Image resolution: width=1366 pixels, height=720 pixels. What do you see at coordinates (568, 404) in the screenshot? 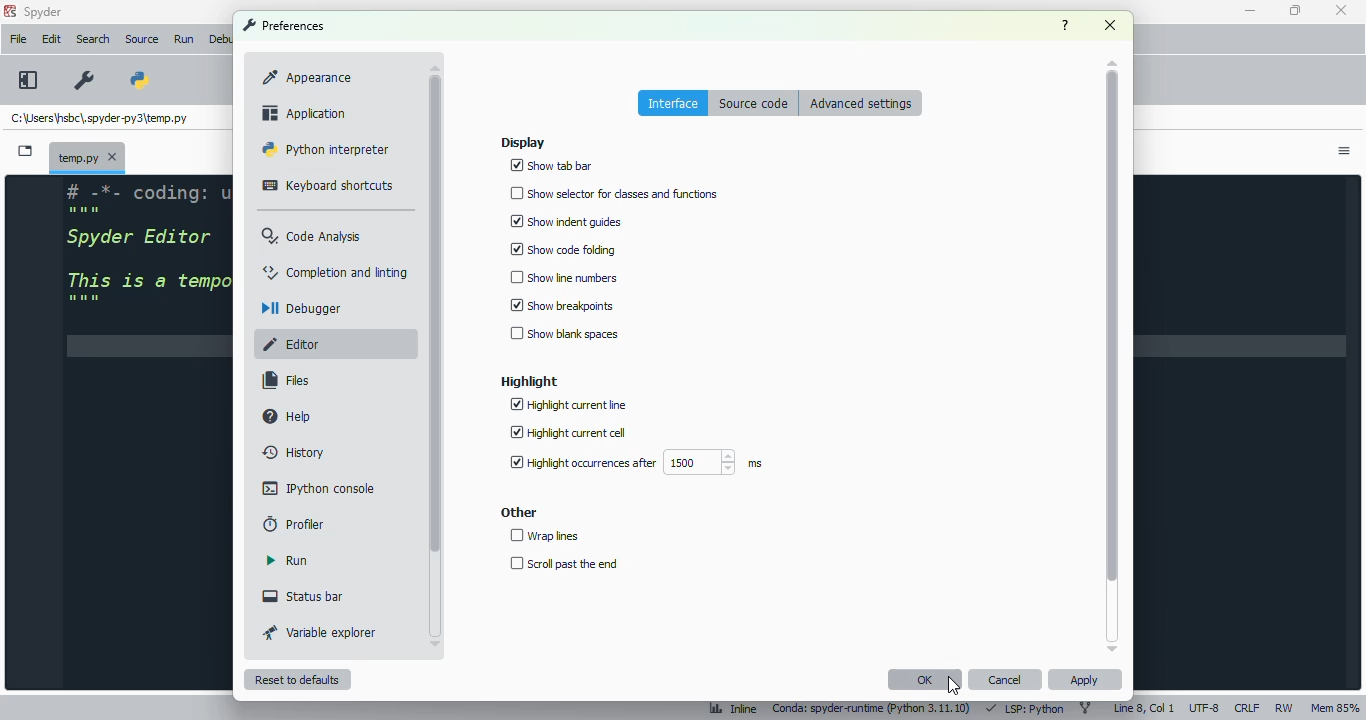
I see `highlight current line` at bounding box center [568, 404].